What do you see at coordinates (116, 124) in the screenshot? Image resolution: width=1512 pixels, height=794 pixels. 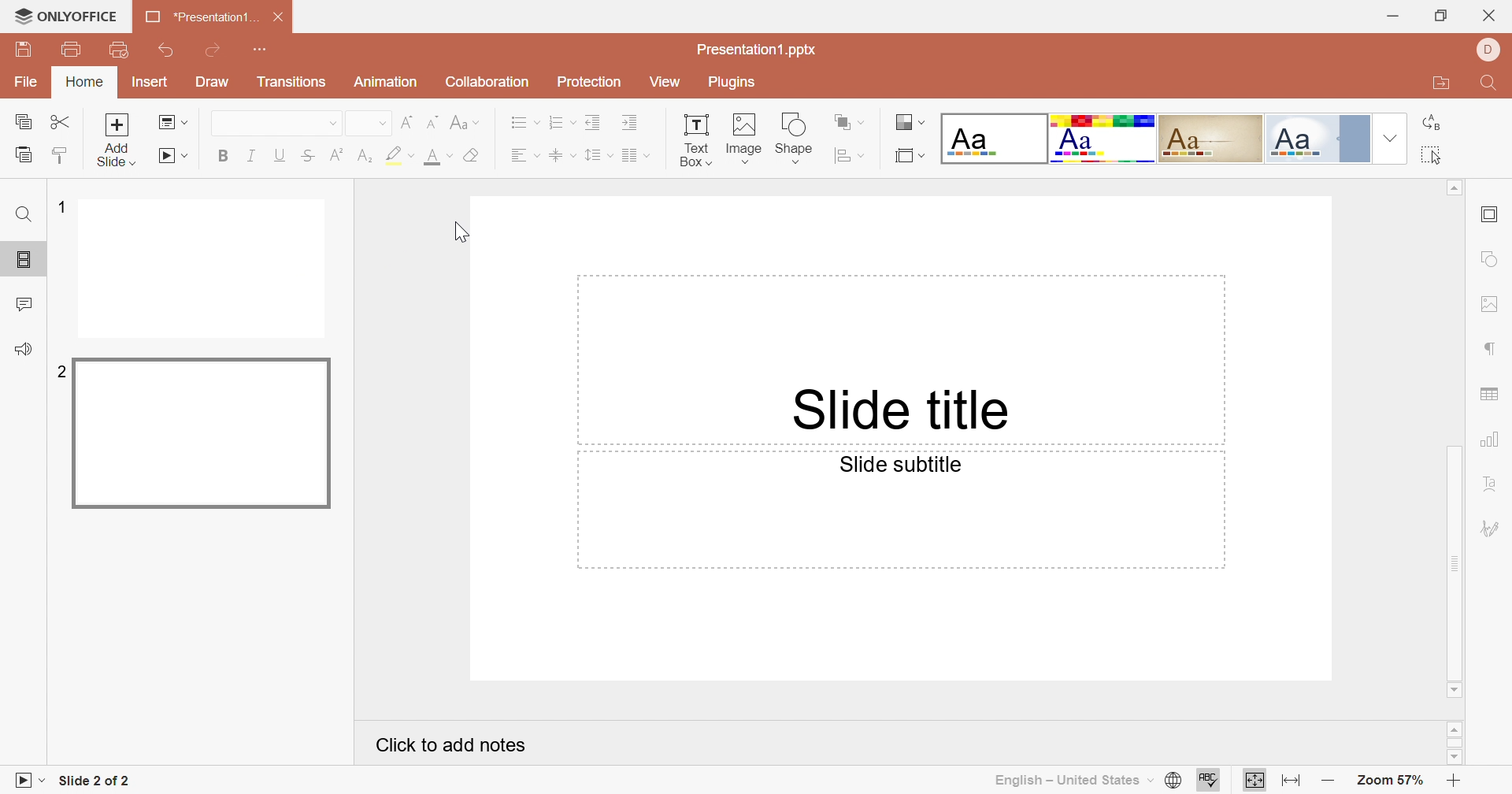 I see `Add slide` at bounding box center [116, 124].